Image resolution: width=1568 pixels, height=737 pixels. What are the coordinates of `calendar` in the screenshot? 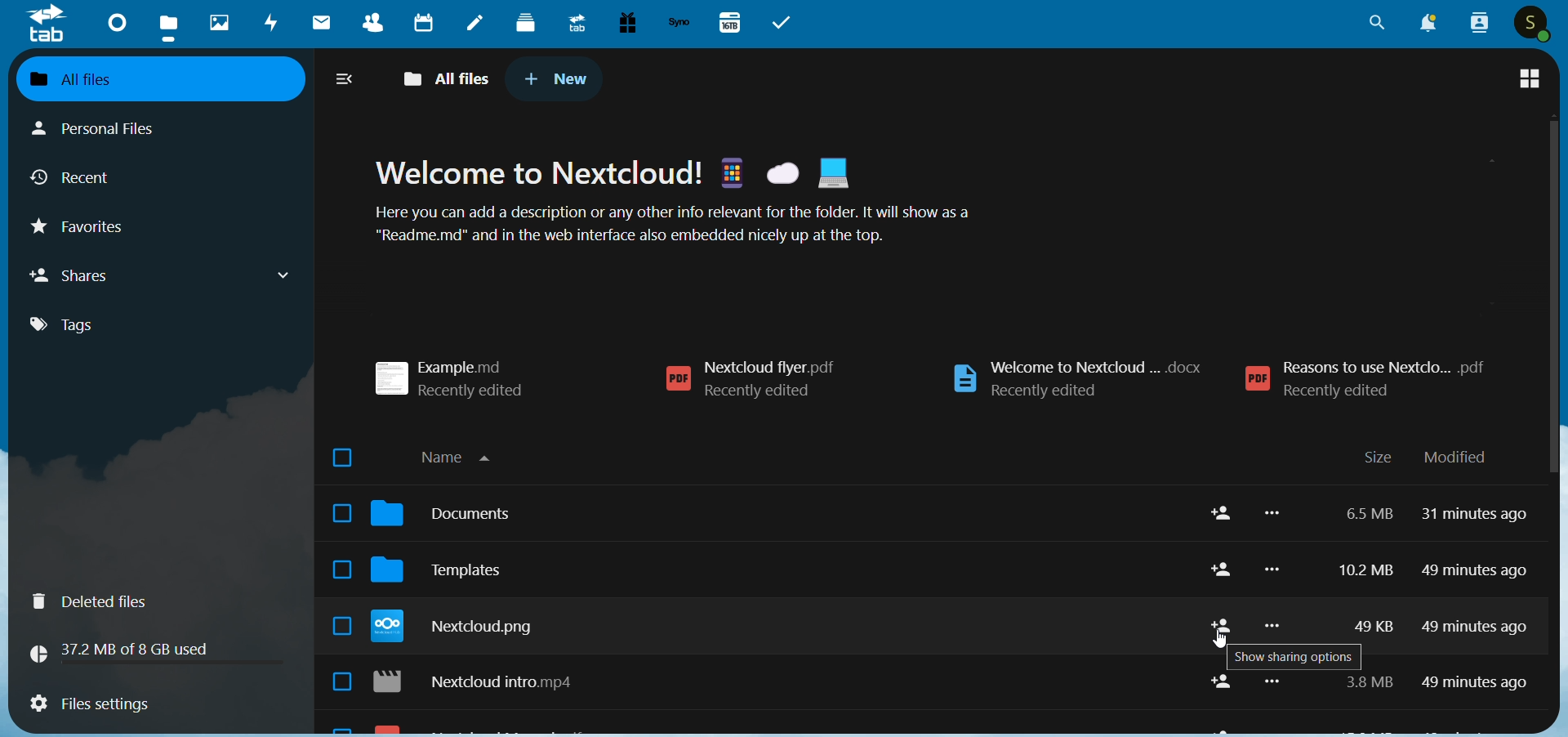 It's located at (426, 25).